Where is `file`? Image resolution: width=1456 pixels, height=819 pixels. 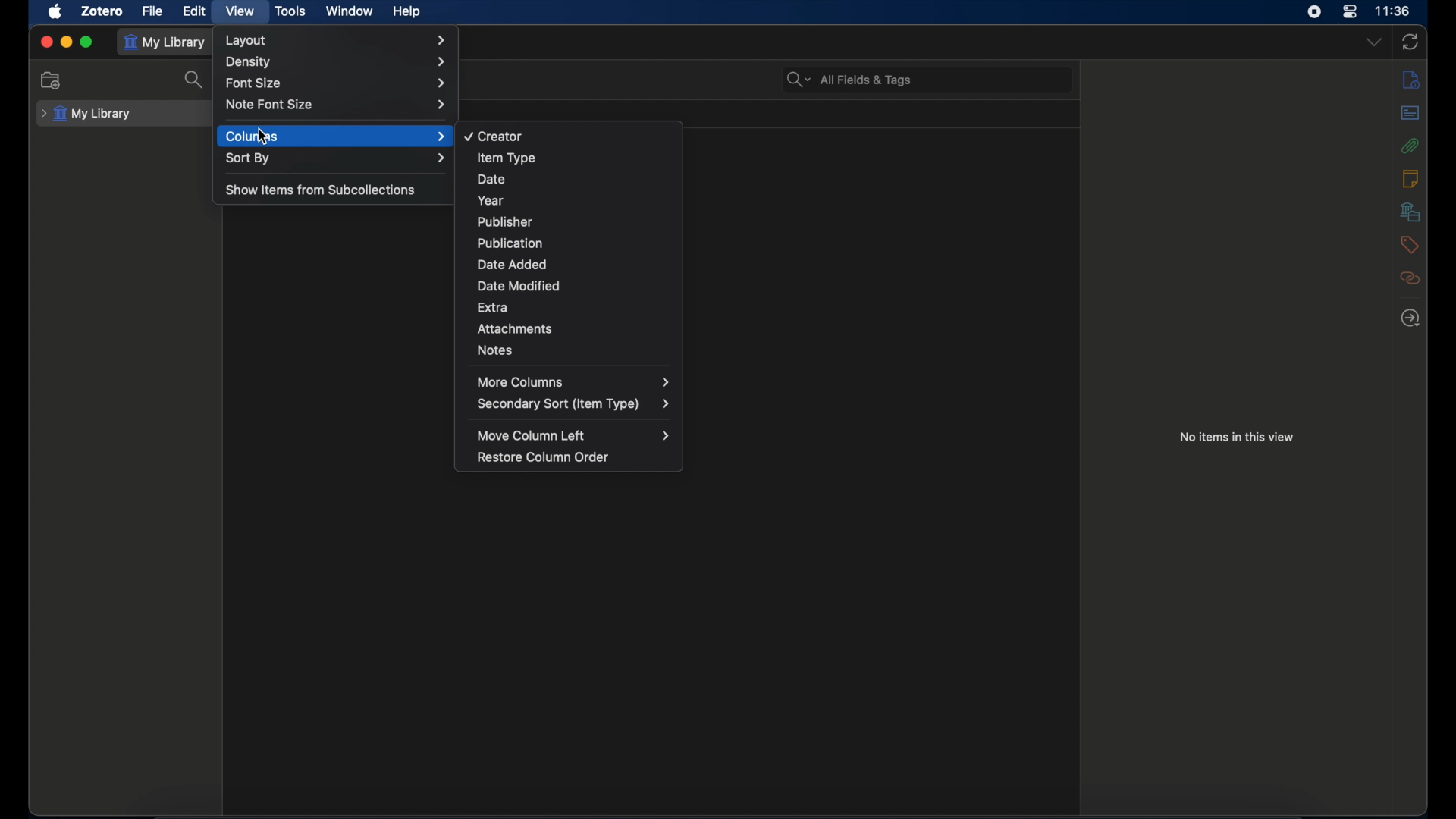
file is located at coordinates (152, 12).